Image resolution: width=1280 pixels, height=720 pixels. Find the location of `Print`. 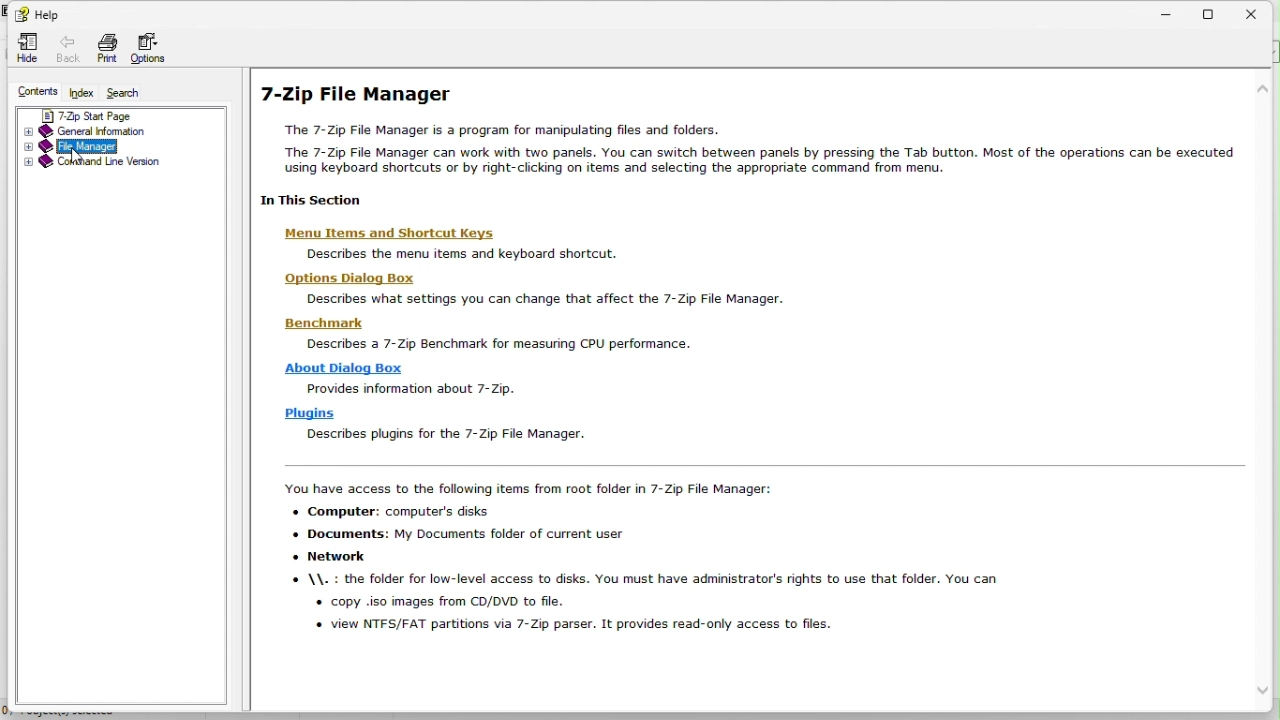

Print is located at coordinates (106, 51).